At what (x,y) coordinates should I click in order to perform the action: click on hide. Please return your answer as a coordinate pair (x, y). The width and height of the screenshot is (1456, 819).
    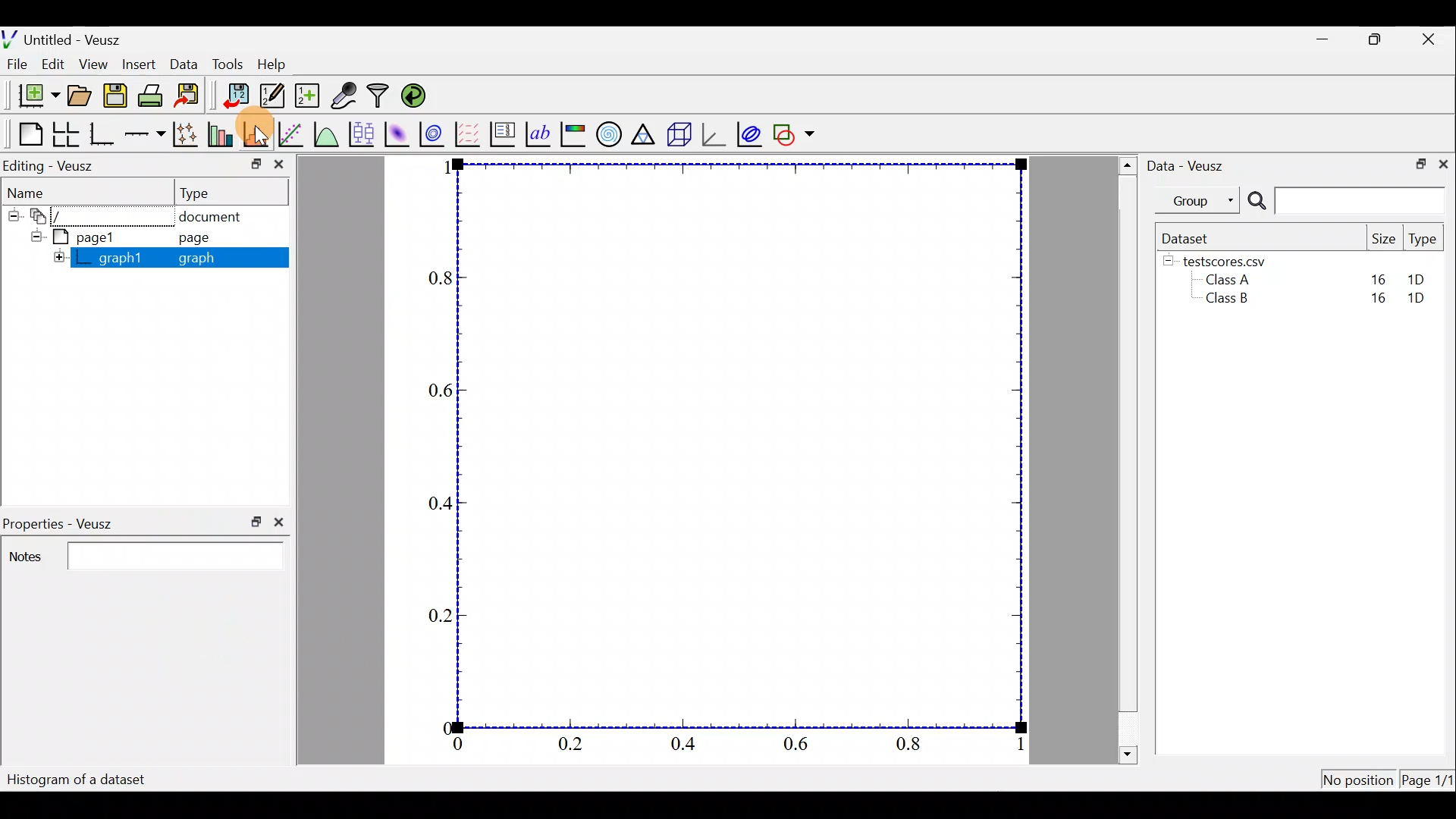
    Looking at the image, I should click on (58, 257).